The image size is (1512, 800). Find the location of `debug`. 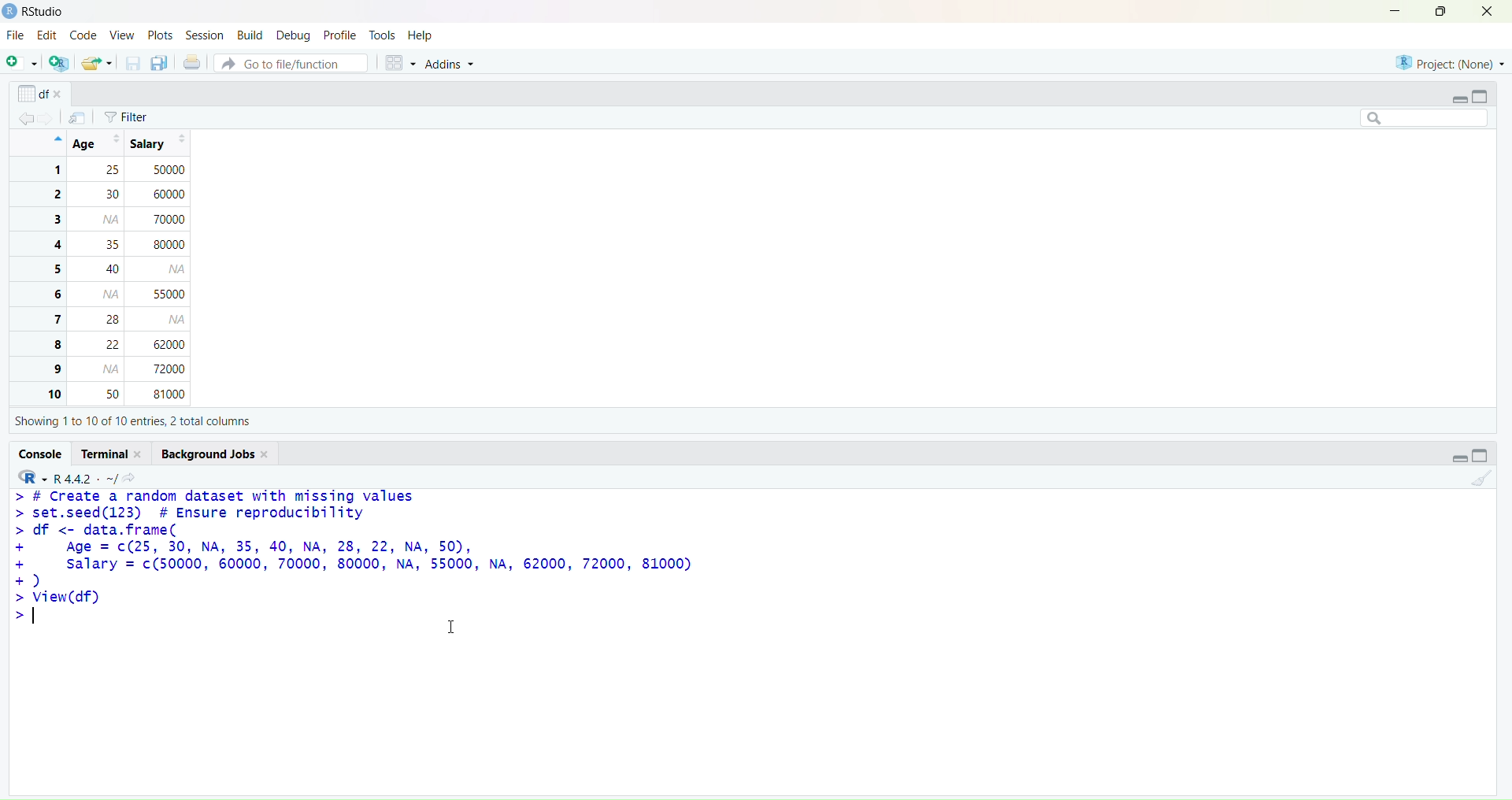

debug is located at coordinates (291, 36).